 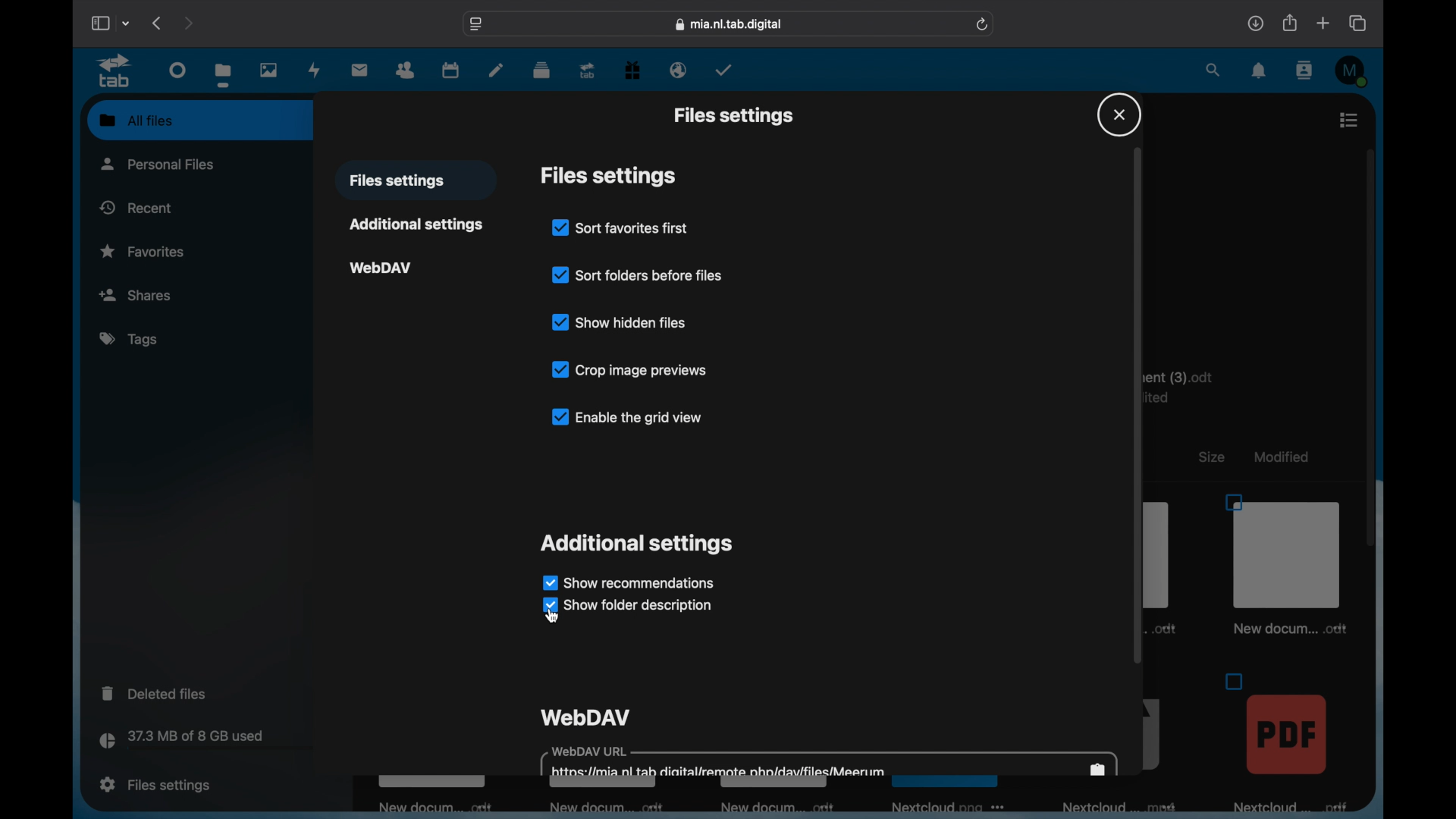 What do you see at coordinates (983, 24) in the screenshot?
I see `refresh` at bounding box center [983, 24].